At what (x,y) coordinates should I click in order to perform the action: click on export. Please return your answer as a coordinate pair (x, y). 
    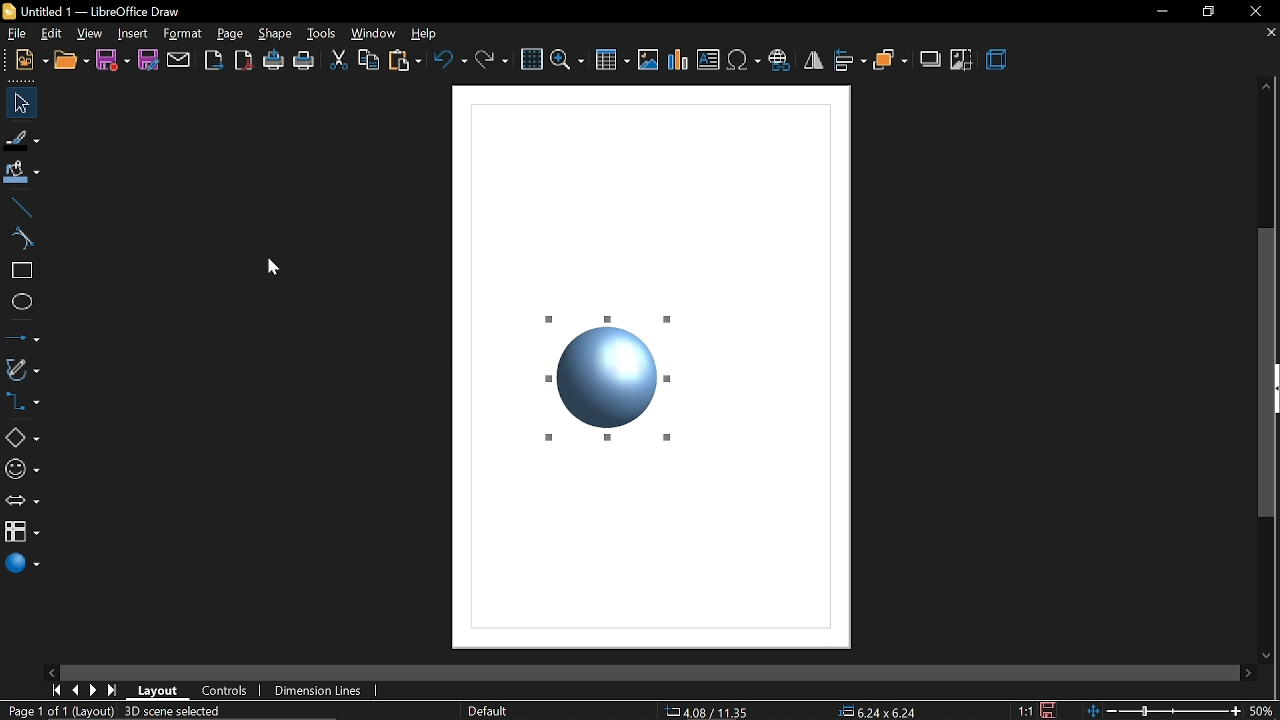
    Looking at the image, I should click on (213, 60).